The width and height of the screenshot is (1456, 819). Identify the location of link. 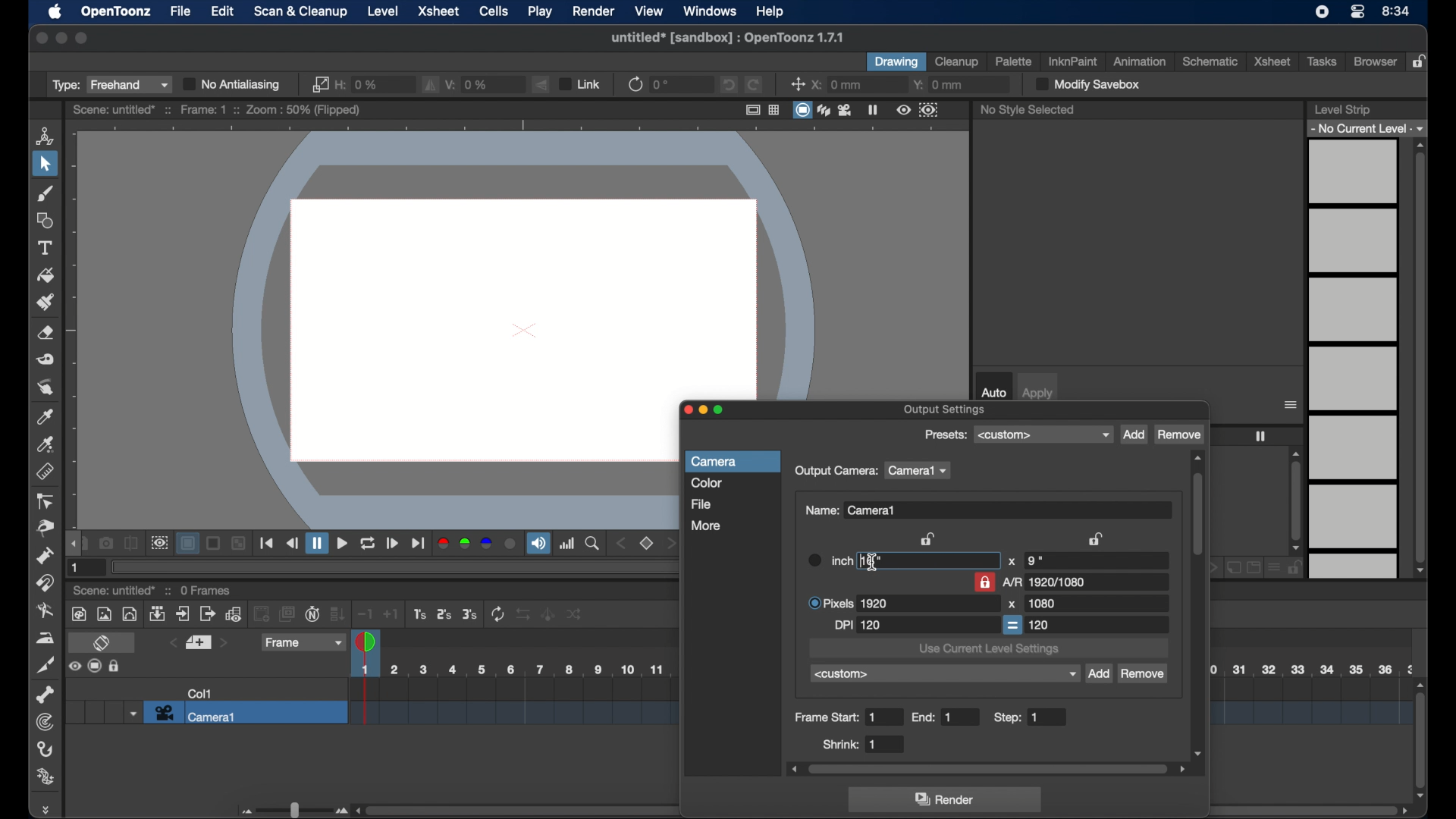
(318, 84).